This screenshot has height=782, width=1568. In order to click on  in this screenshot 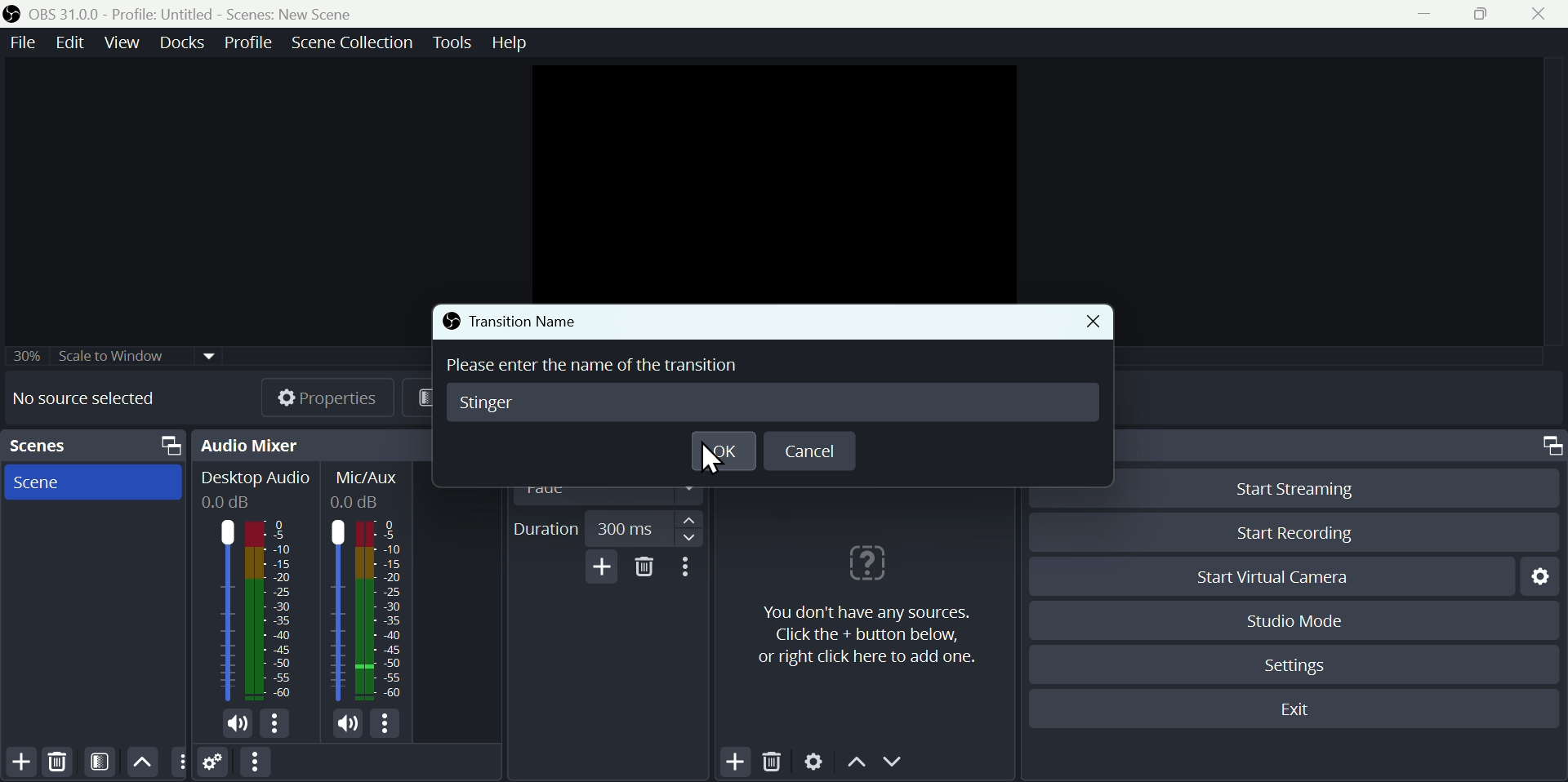, I will do `click(250, 40)`.